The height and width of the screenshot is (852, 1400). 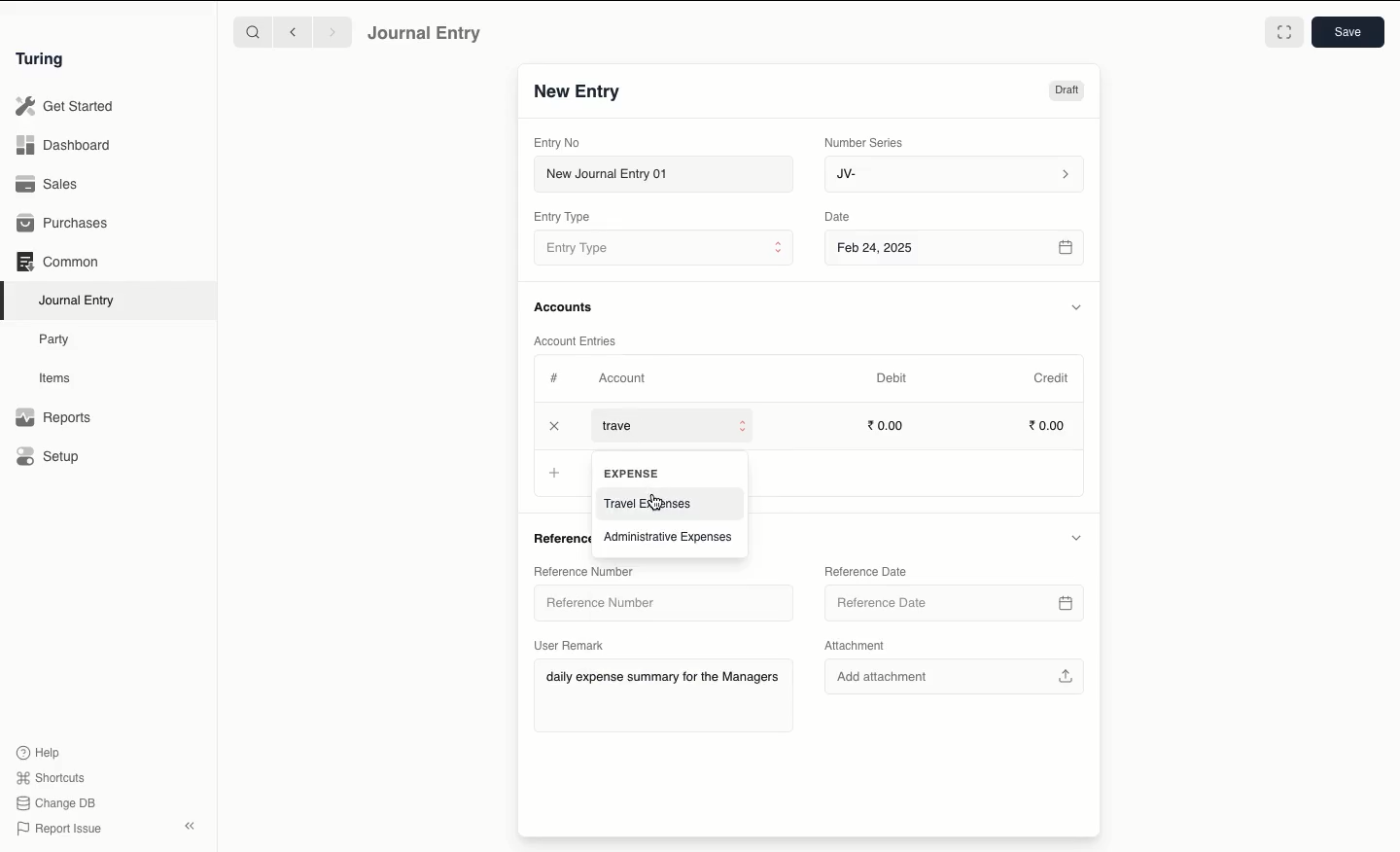 What do you see at coordinates (956, 679) in the screenshot?
I see `Add attachment` at bounding box center [956, 679].